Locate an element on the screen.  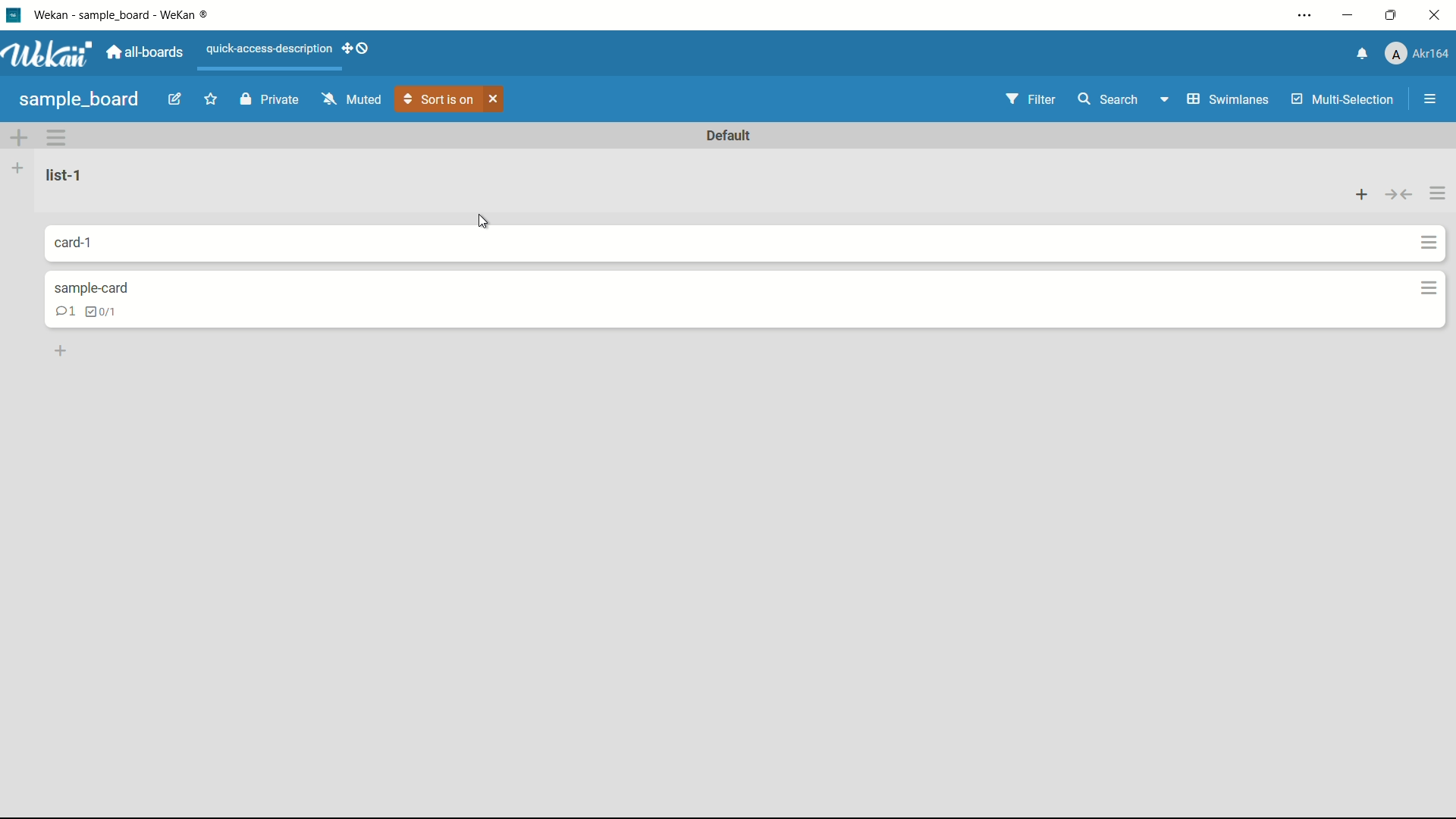
edit is located at coordinates (174, 99).